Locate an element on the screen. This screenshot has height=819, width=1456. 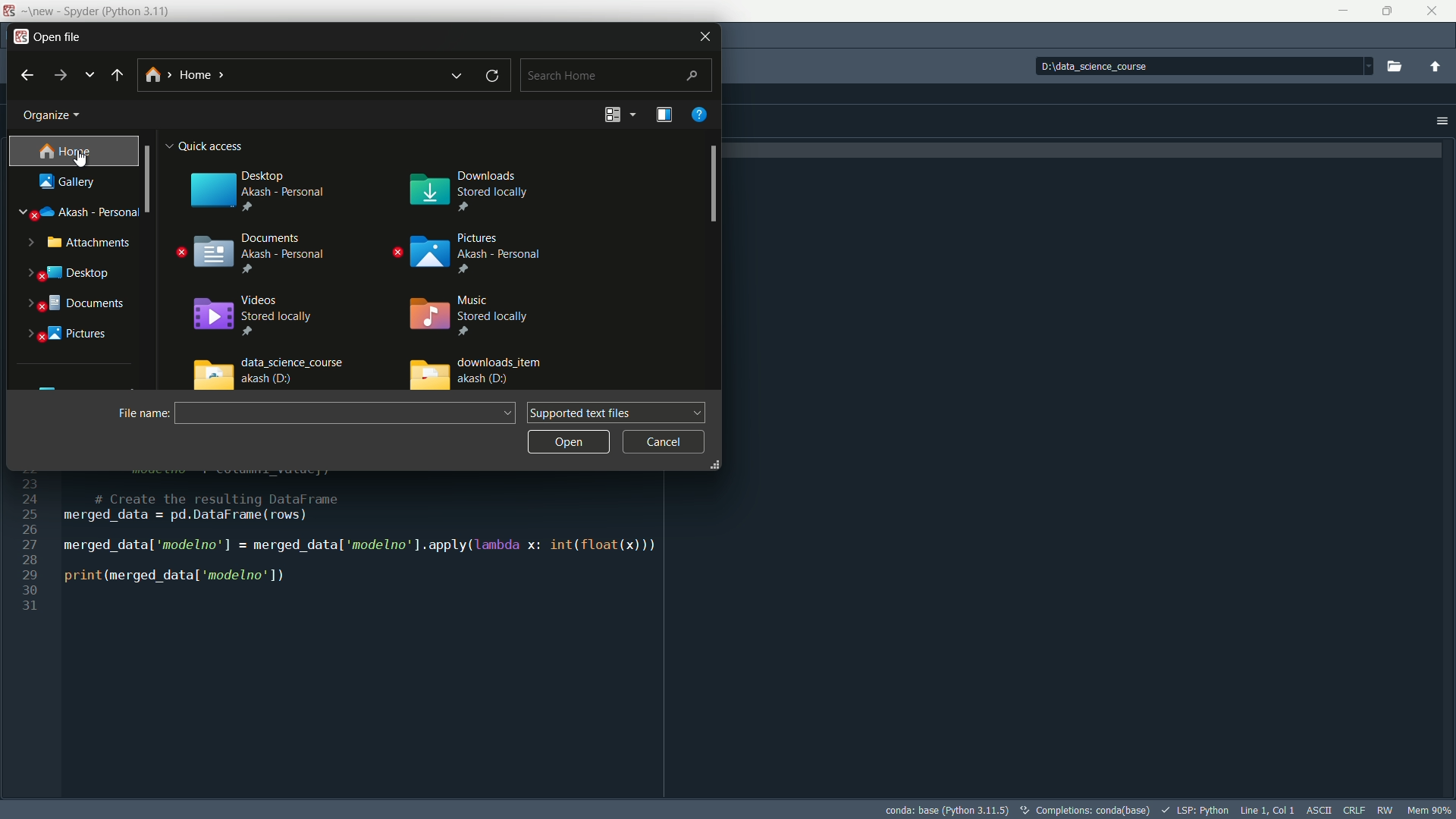
minimize is located at coordinates (1340, 11).